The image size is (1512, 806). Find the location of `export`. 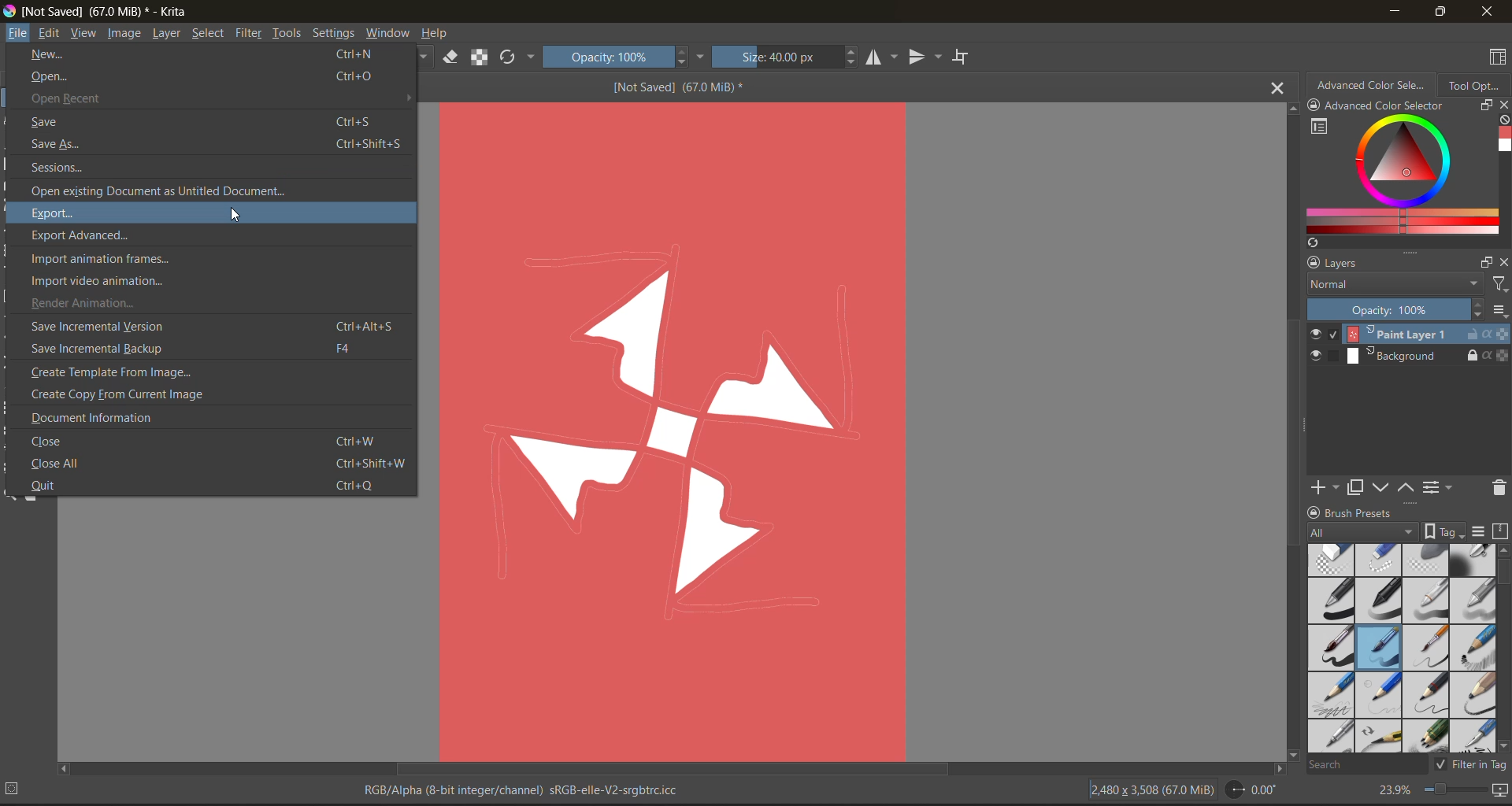

export is located at coordinates (170, 213).